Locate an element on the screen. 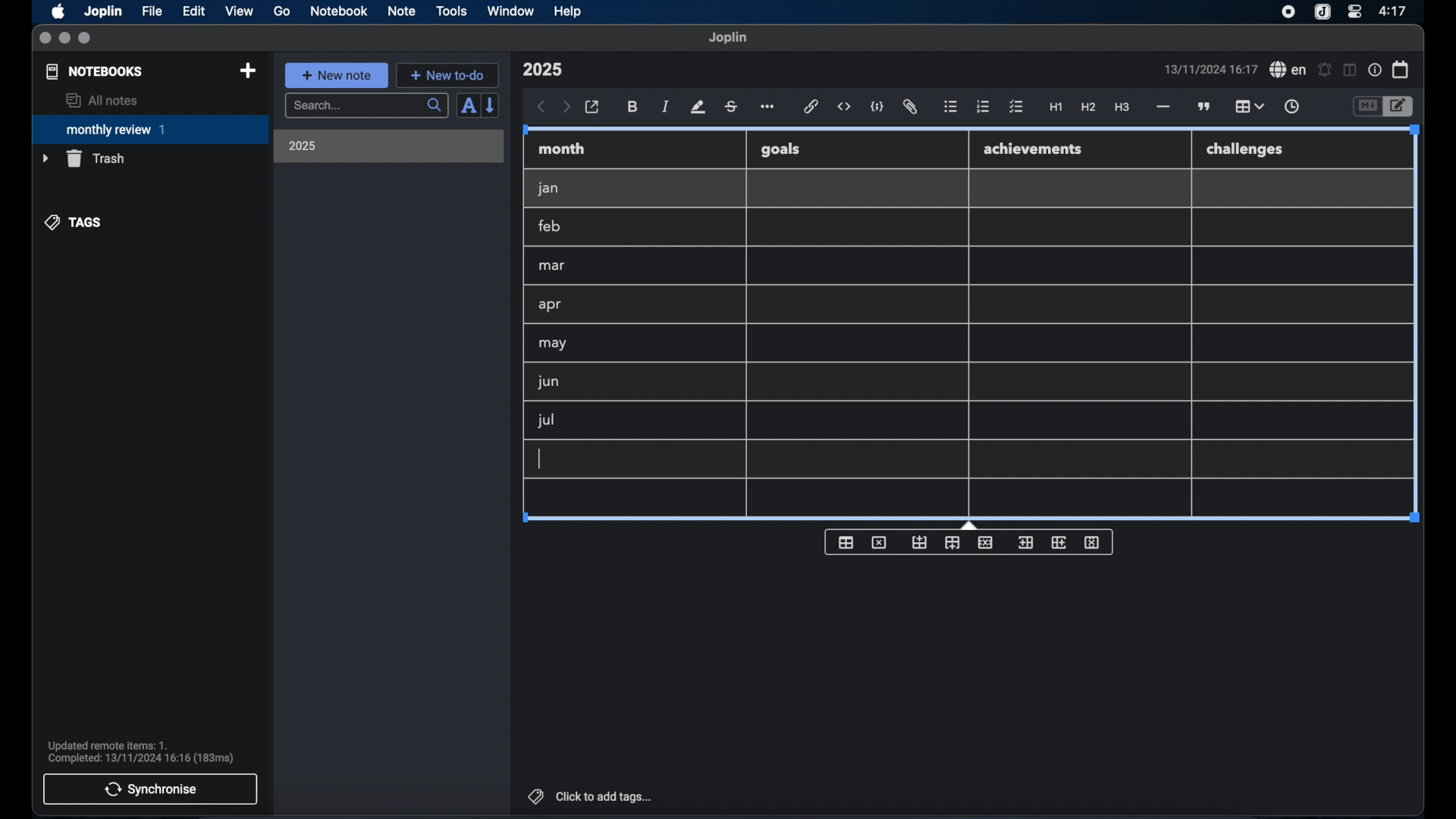  code is located at coordinates (877, 108).